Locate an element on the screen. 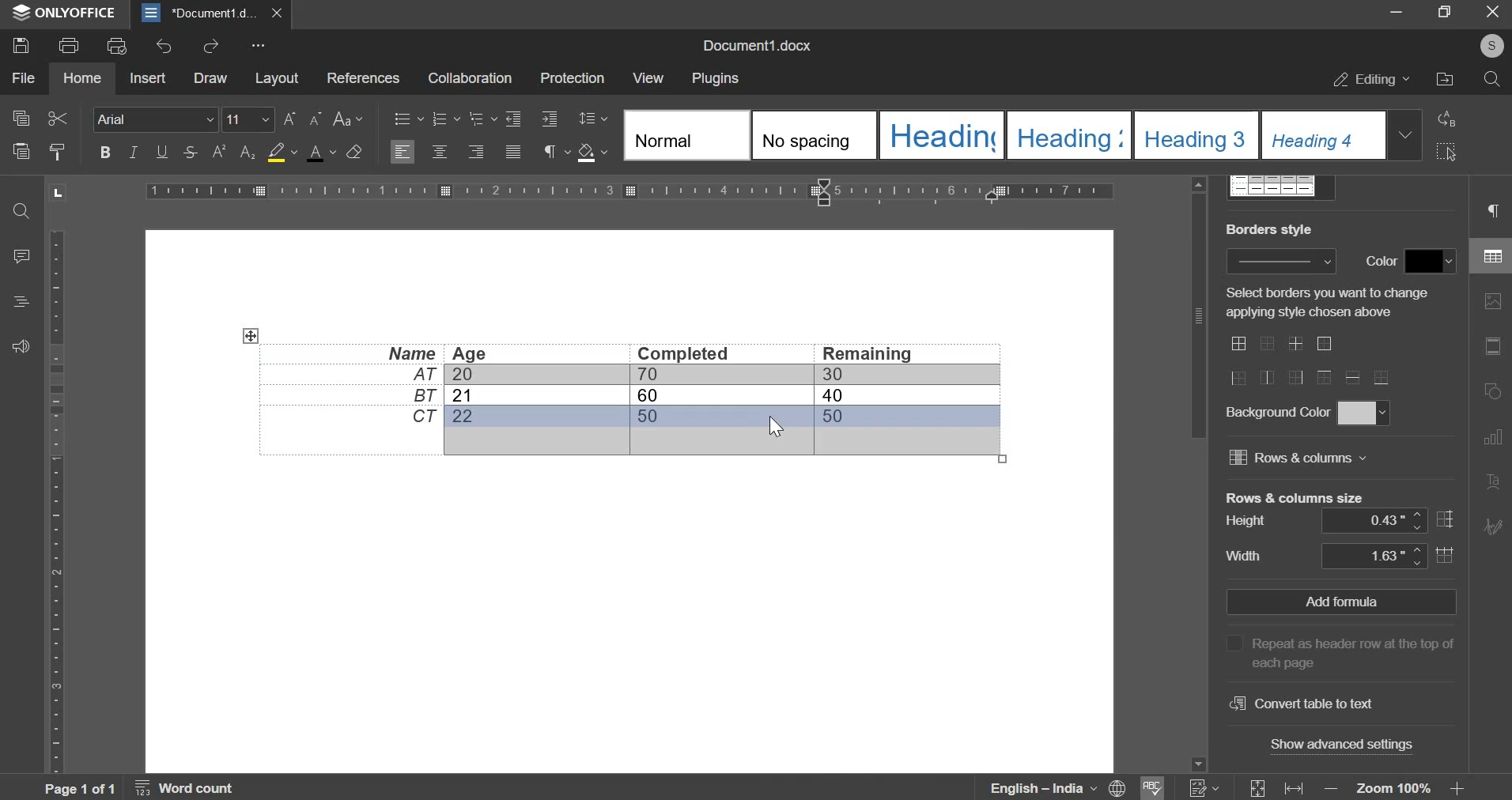 This screenshot has height=800, width=1512. maximize is located at coordinates (1447, 11).